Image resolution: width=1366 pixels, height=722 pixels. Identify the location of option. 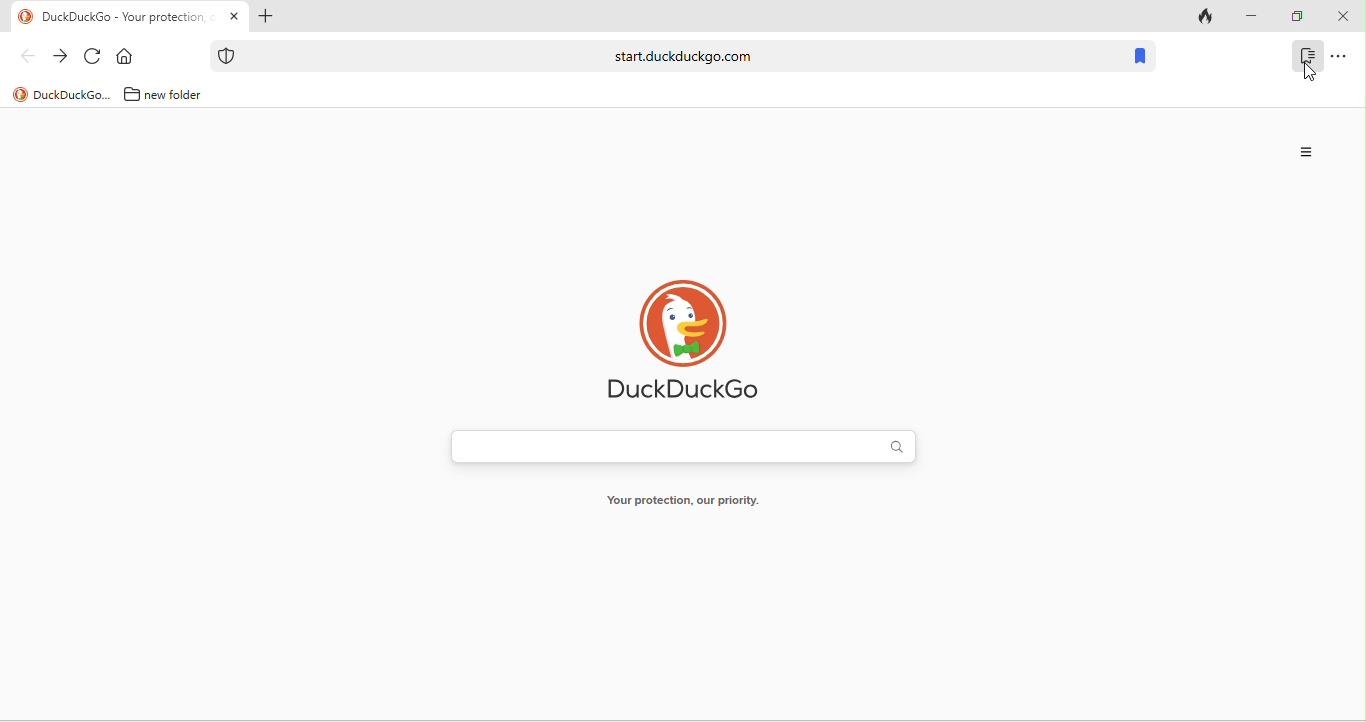
(1339, 55).